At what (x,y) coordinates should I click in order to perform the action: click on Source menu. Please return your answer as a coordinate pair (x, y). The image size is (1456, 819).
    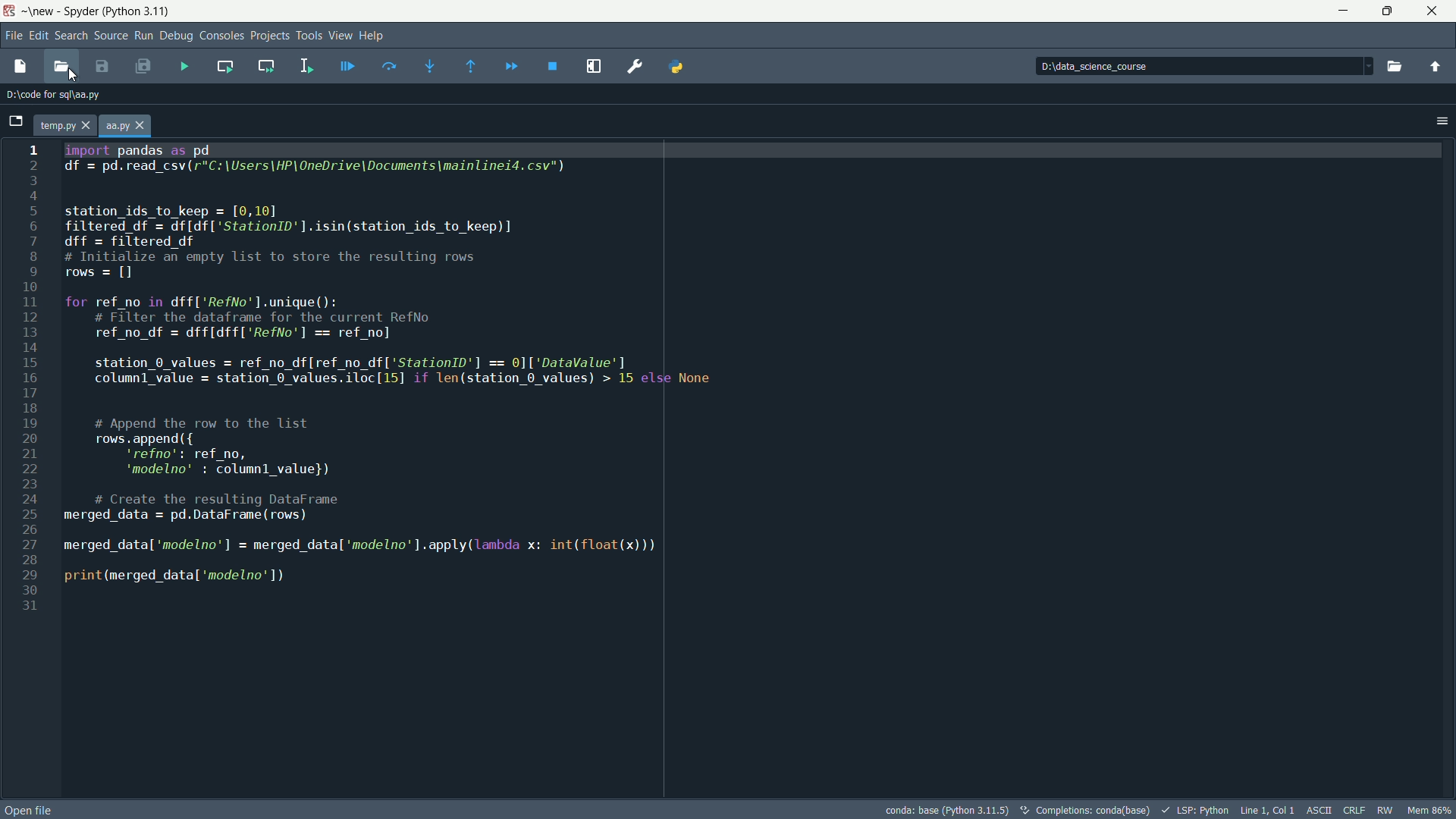
    Looking at the image, I should click on (109, 35).